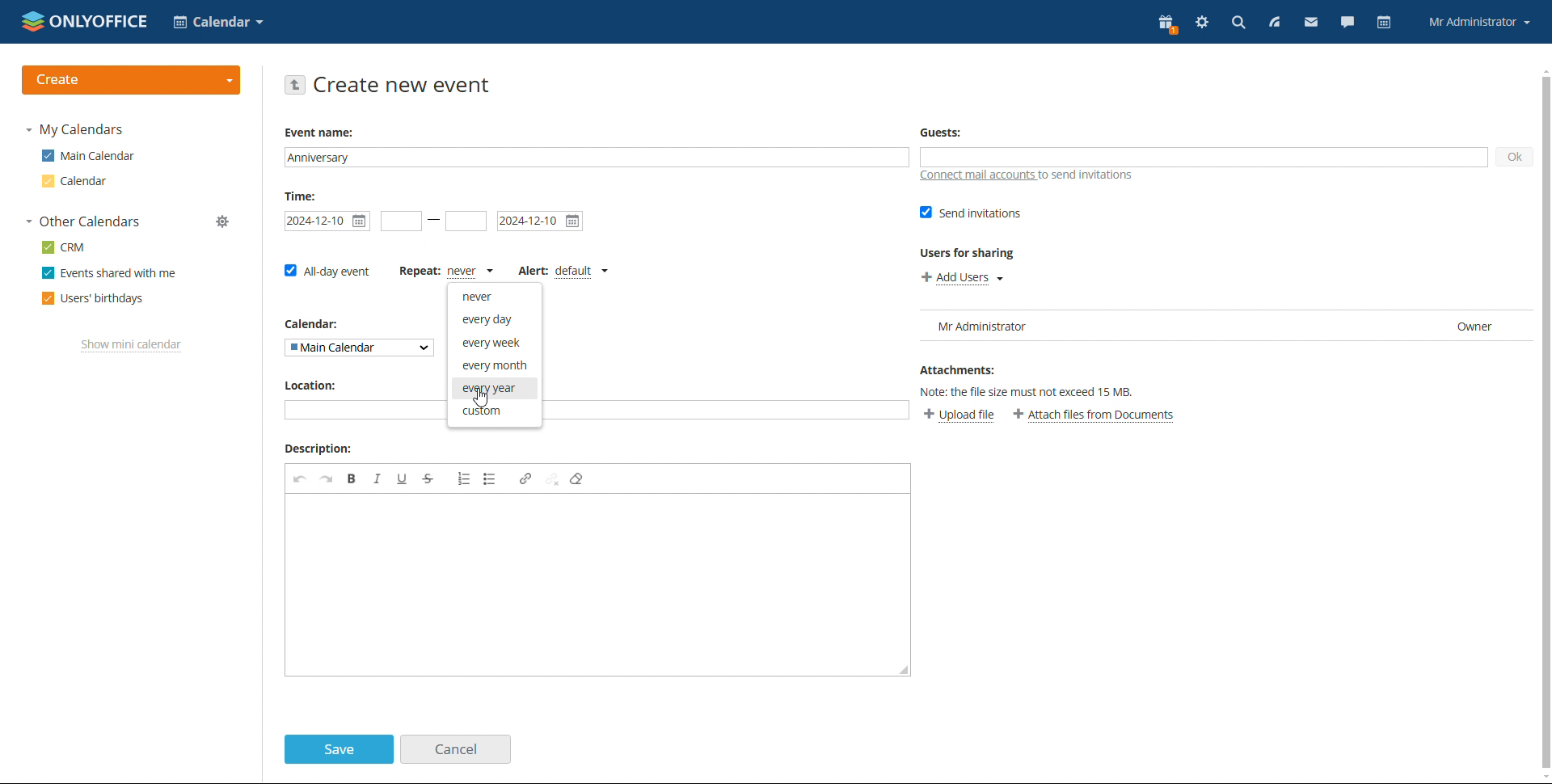  What do you see at coordinates (496, 319) in the screenshot?
I see `every day` at bounding box center [496, 319].